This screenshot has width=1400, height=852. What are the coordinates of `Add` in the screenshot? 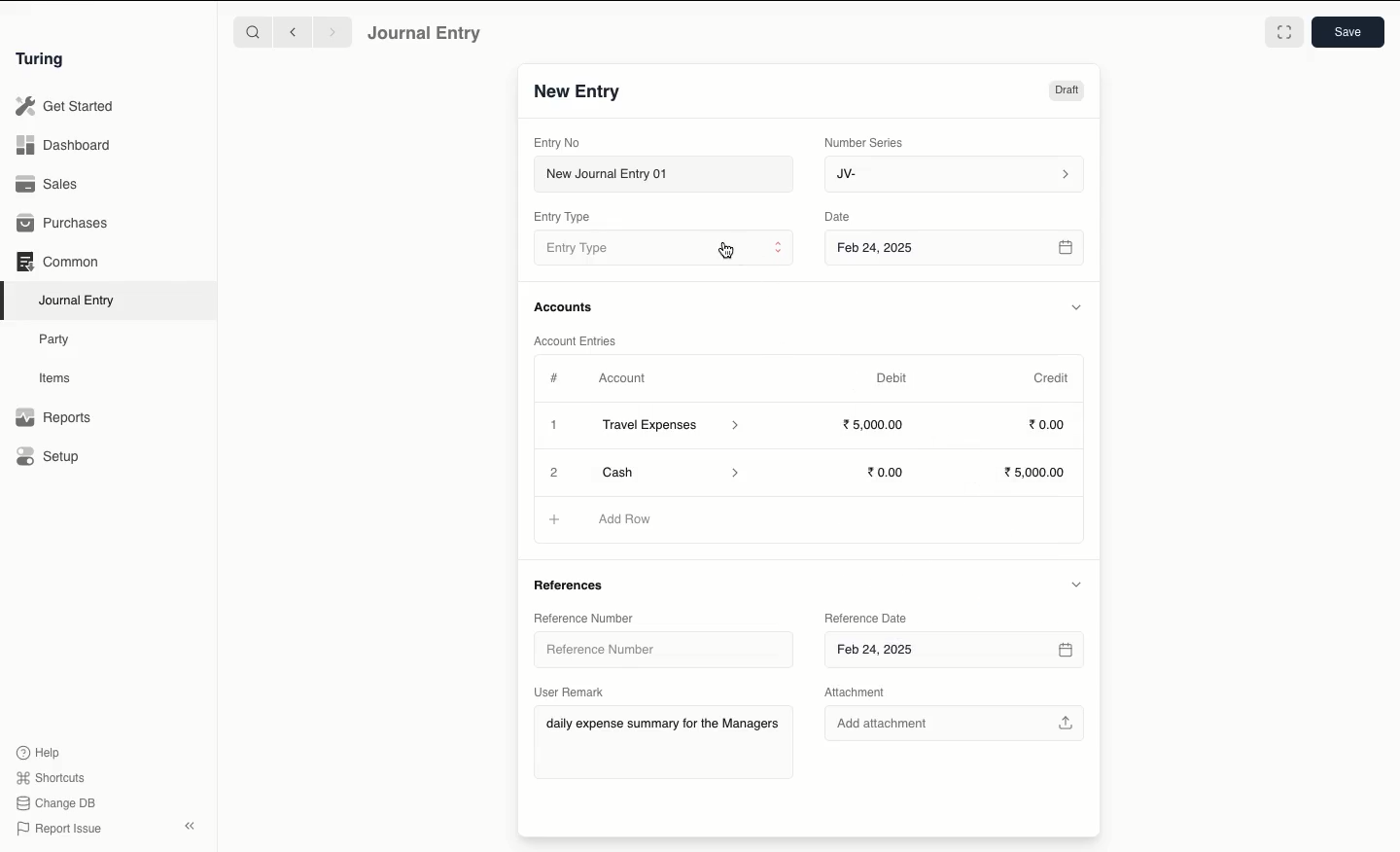 It's located at (556, 520).